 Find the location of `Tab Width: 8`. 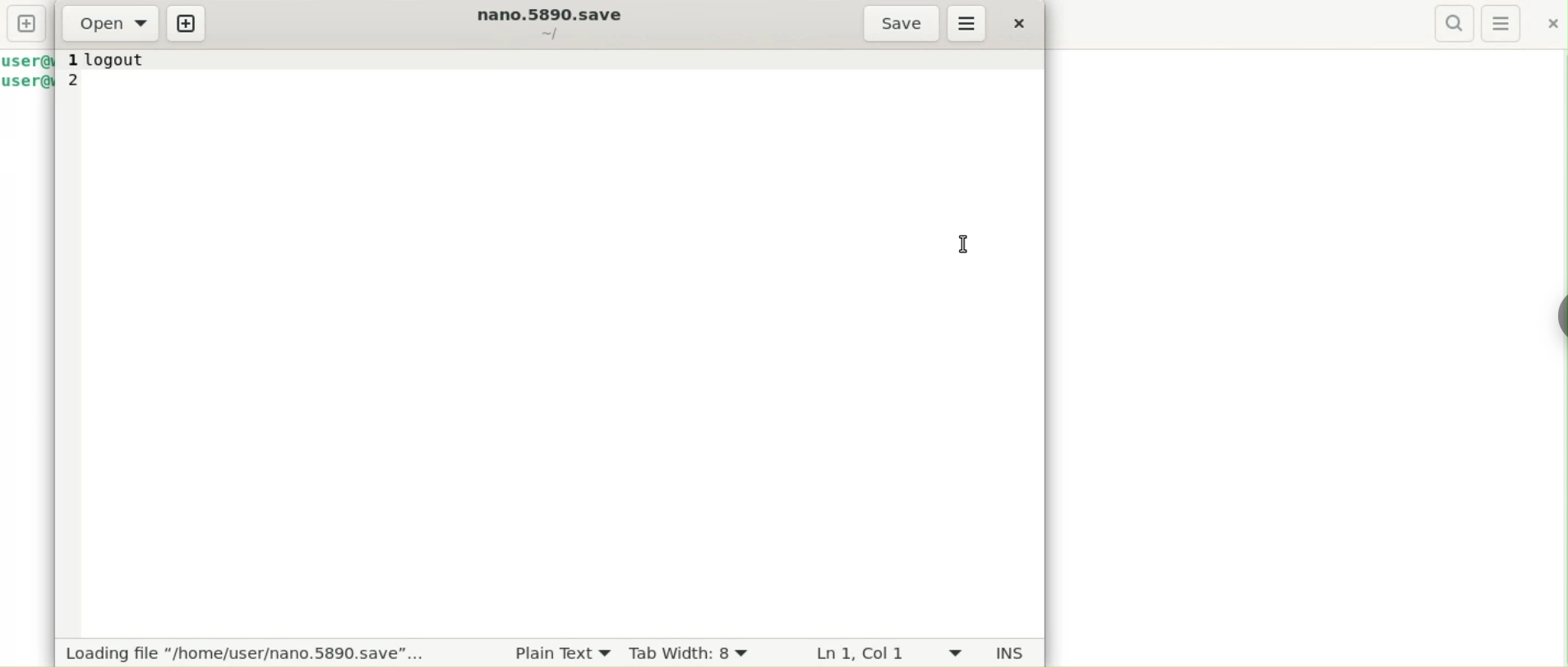

Tab Width: 8 is located at coordinates (694, 652).